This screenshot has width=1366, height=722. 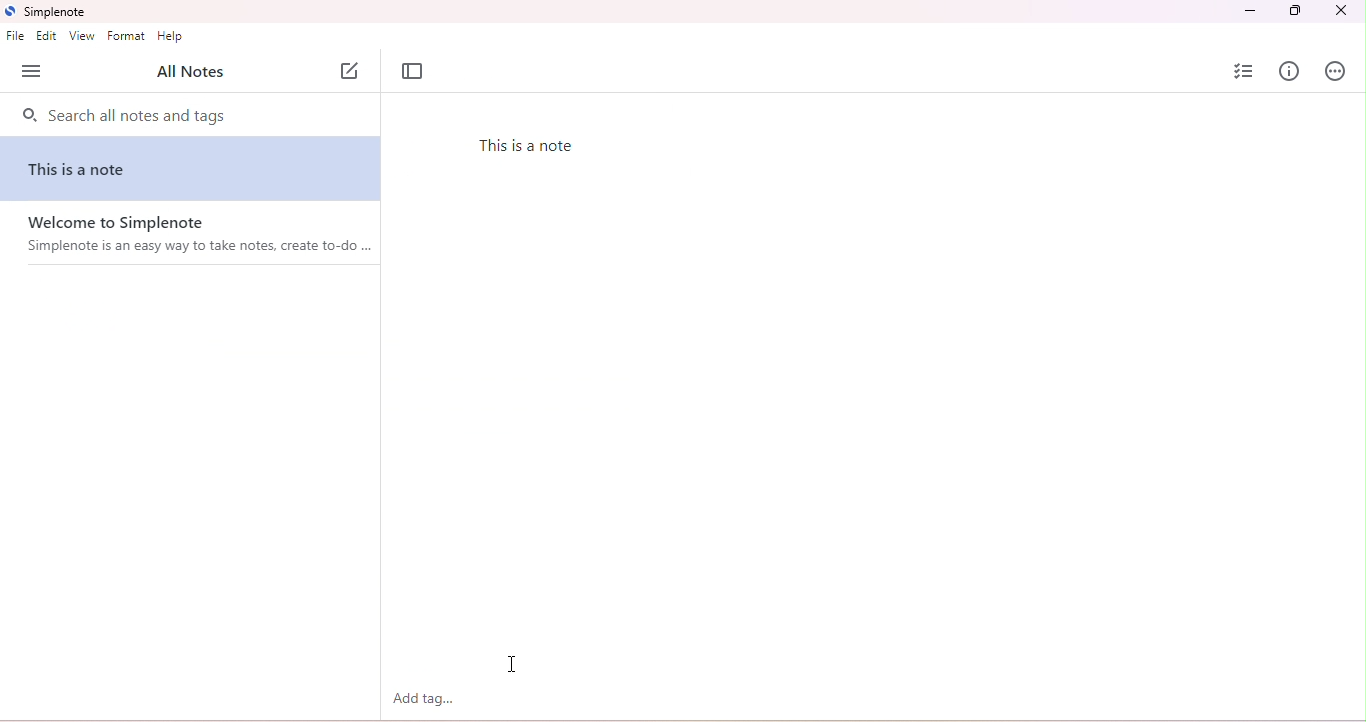 What do you see at coordinates (511, 665) in the screenshot?
I see `cursor movement` at bounding box center [511, 665].